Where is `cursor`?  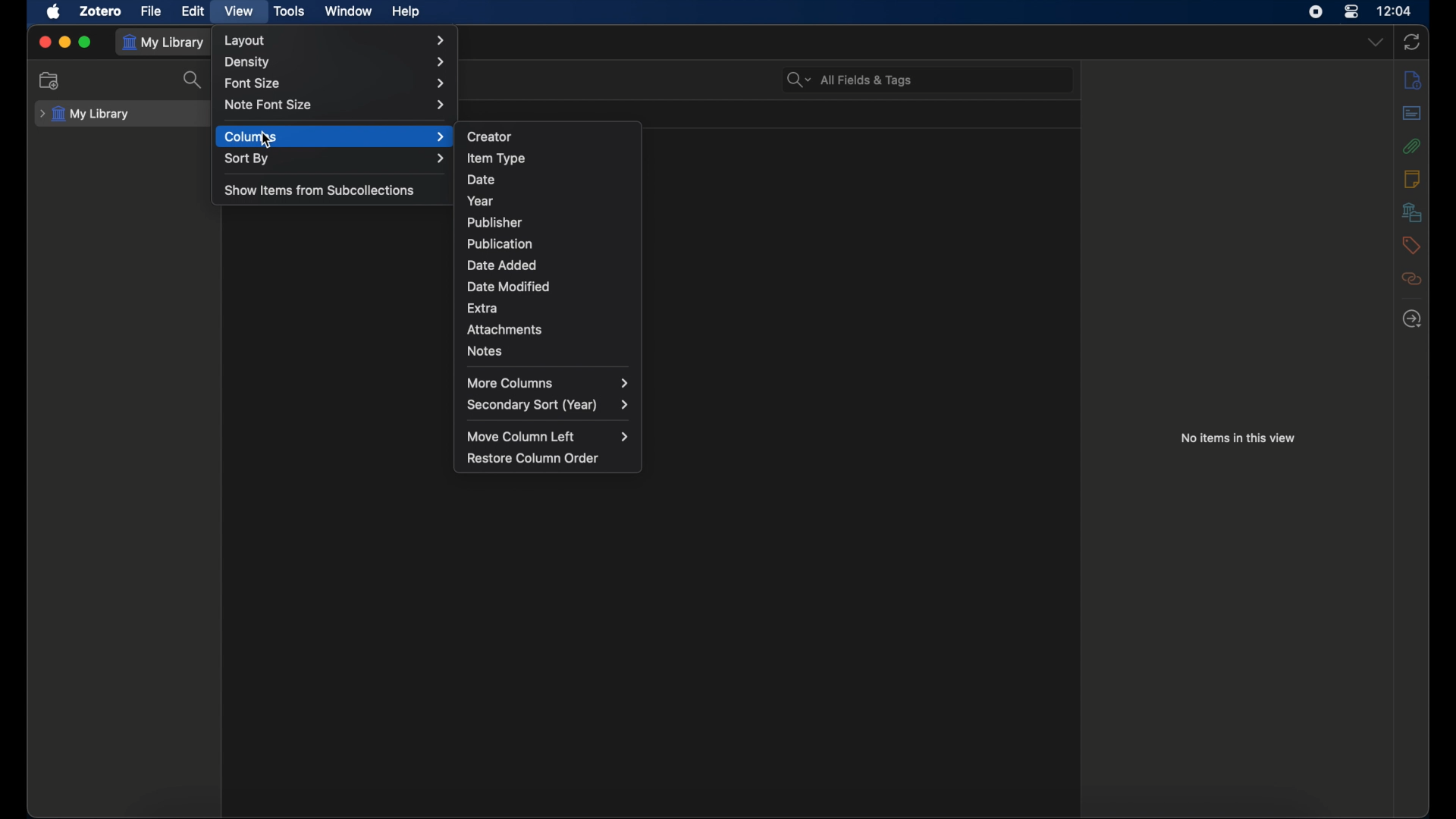 cursor is located at coordinates (267, 140).